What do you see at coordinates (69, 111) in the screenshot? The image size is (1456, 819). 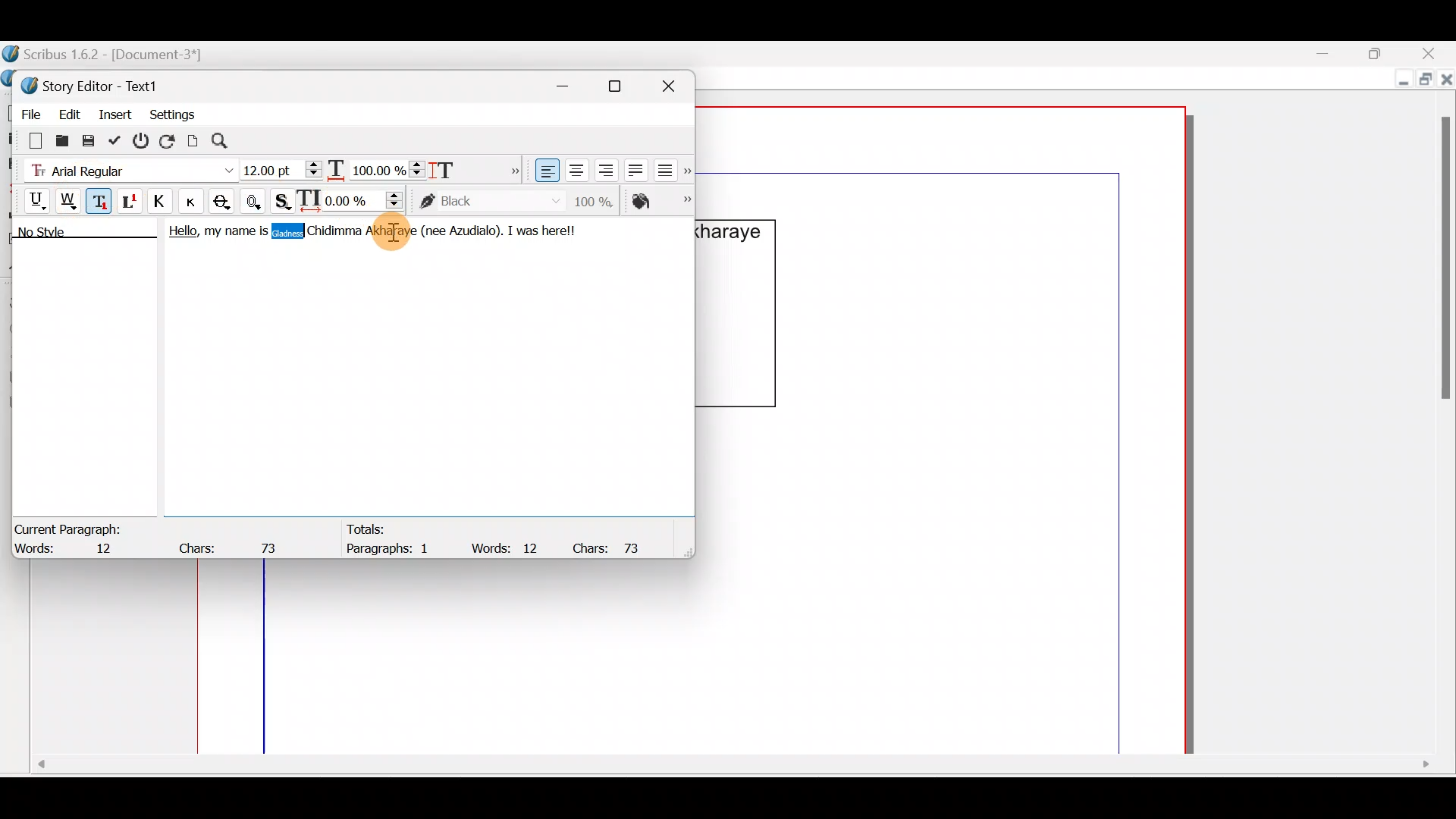 I see `Edit ` at bounding box center [69, 111].